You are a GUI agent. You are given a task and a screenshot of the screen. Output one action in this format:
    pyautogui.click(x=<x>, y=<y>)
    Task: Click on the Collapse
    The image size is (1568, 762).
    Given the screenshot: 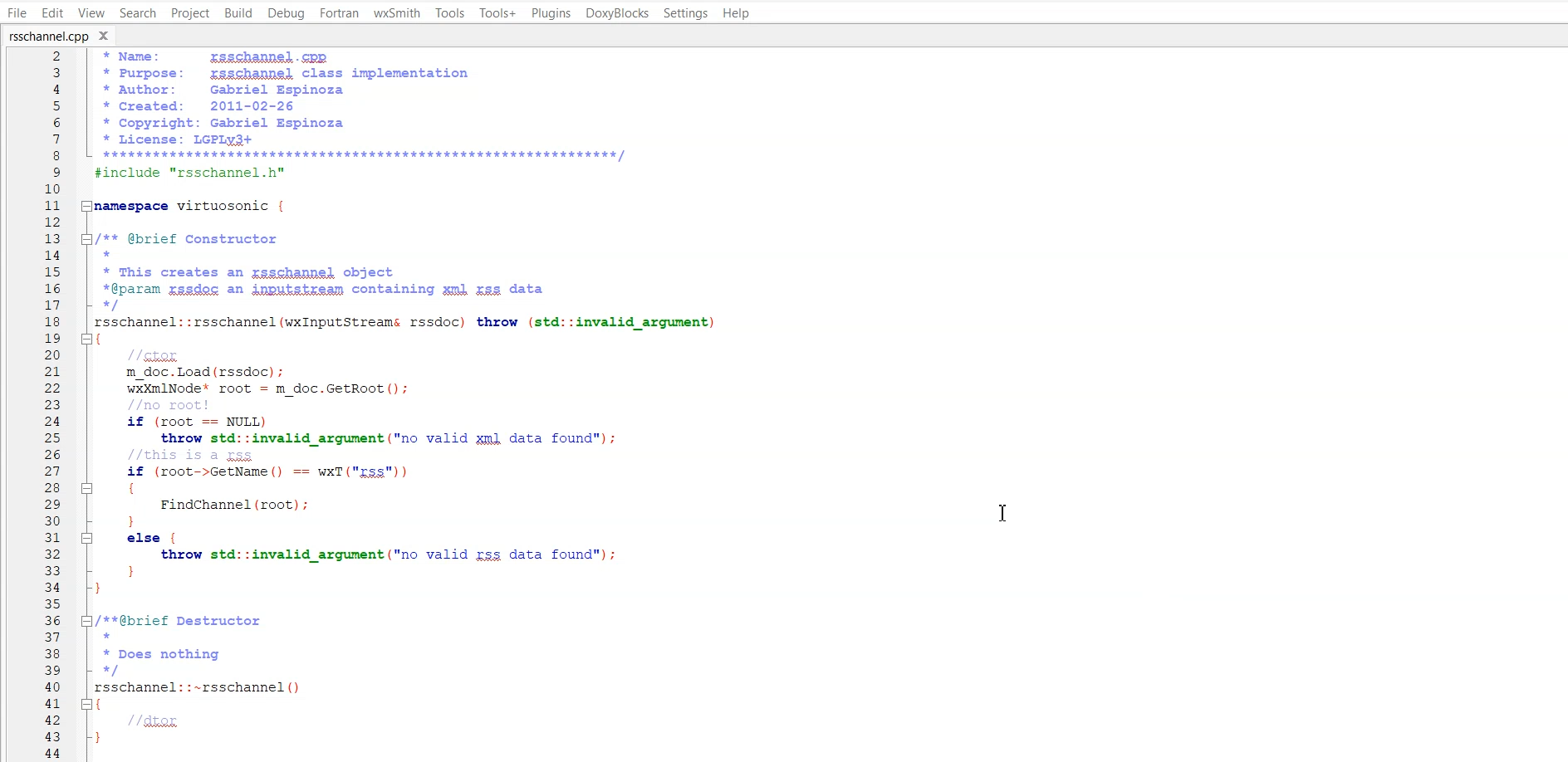 What is the action you would take?
    pyautogui.click(x=87, y=338)
    